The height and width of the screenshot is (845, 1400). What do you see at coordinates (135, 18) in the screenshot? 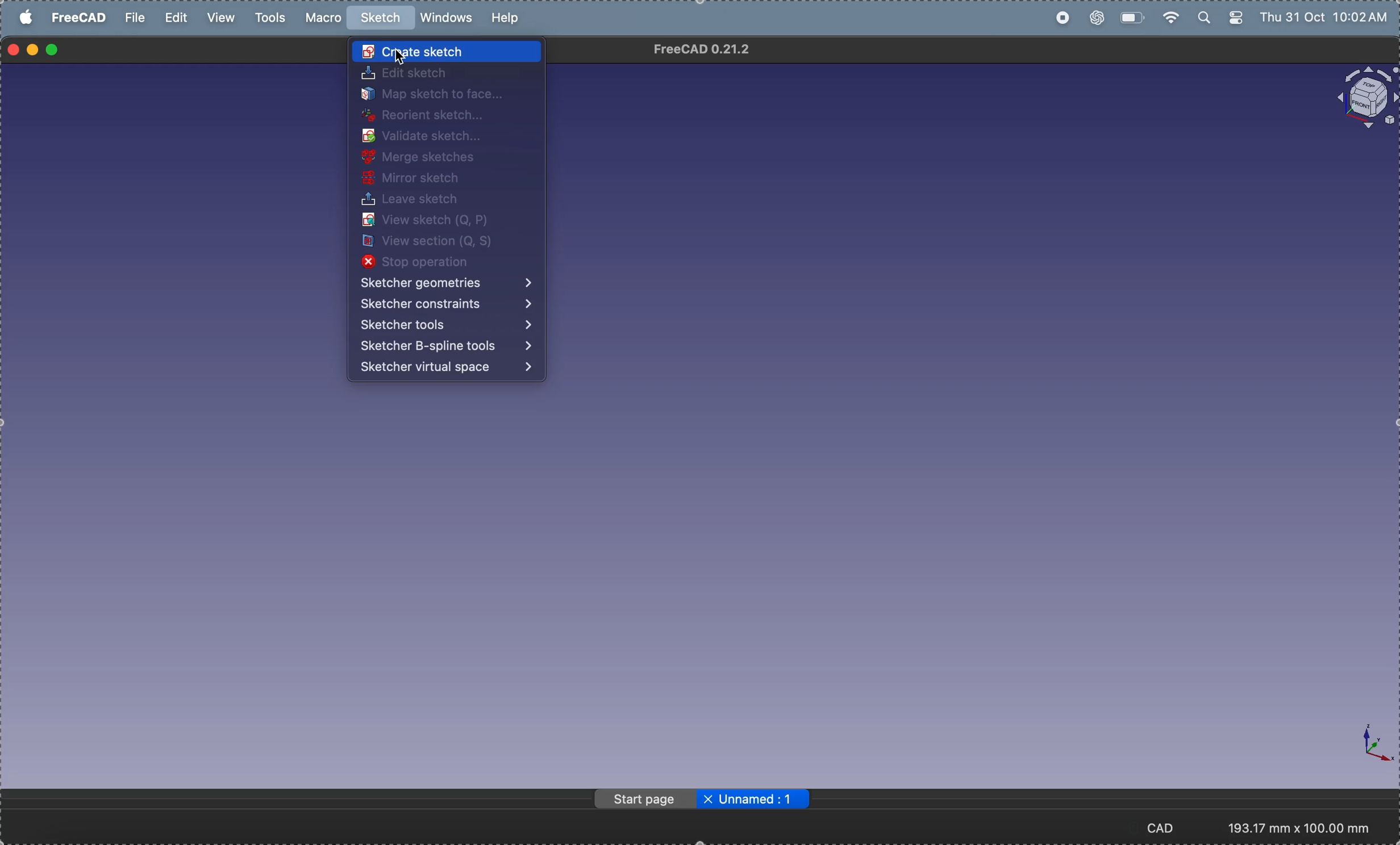
I see `file` at bounding box center [135, 18].